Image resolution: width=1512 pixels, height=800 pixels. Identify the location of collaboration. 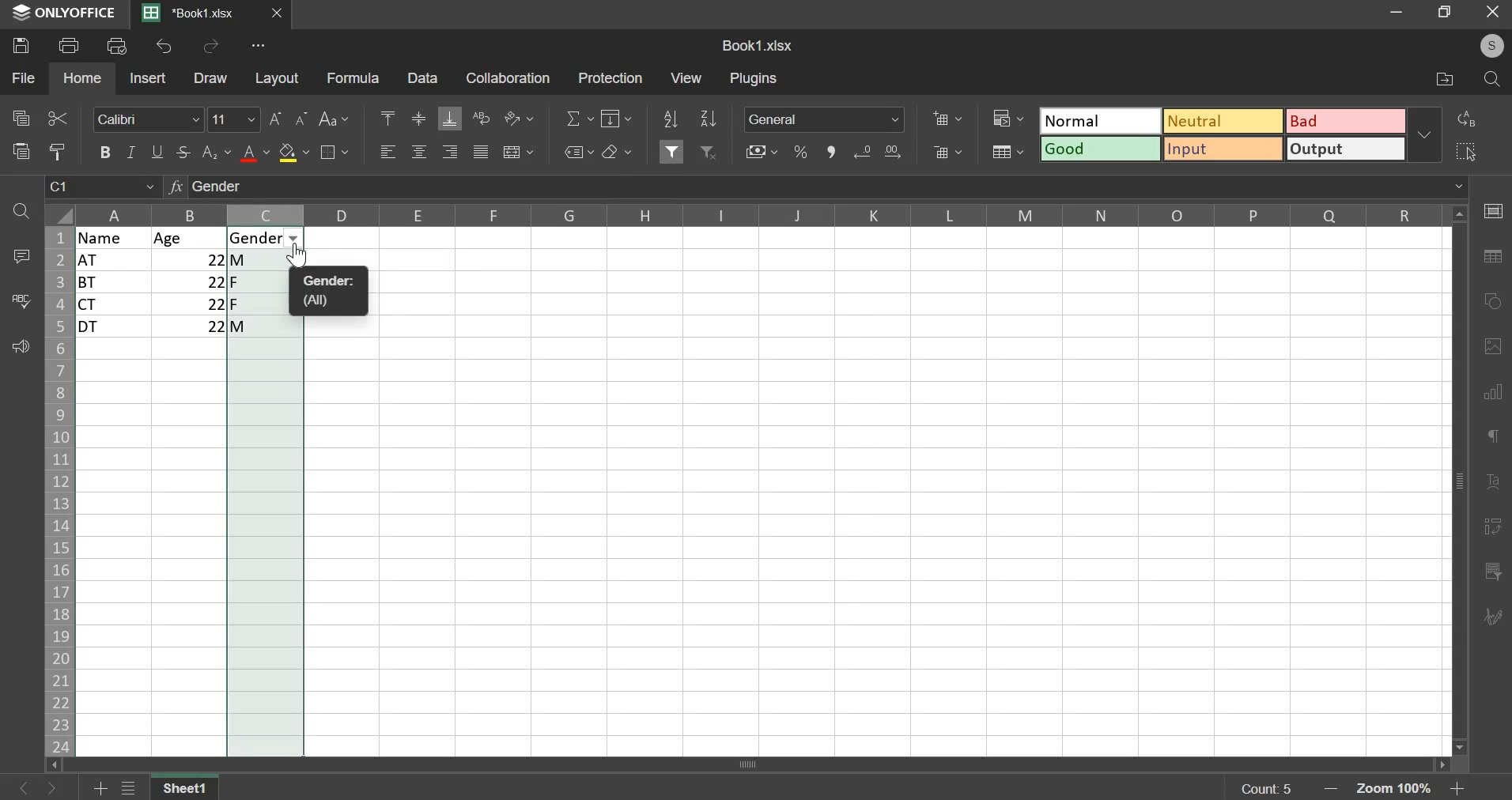
(505, 77).